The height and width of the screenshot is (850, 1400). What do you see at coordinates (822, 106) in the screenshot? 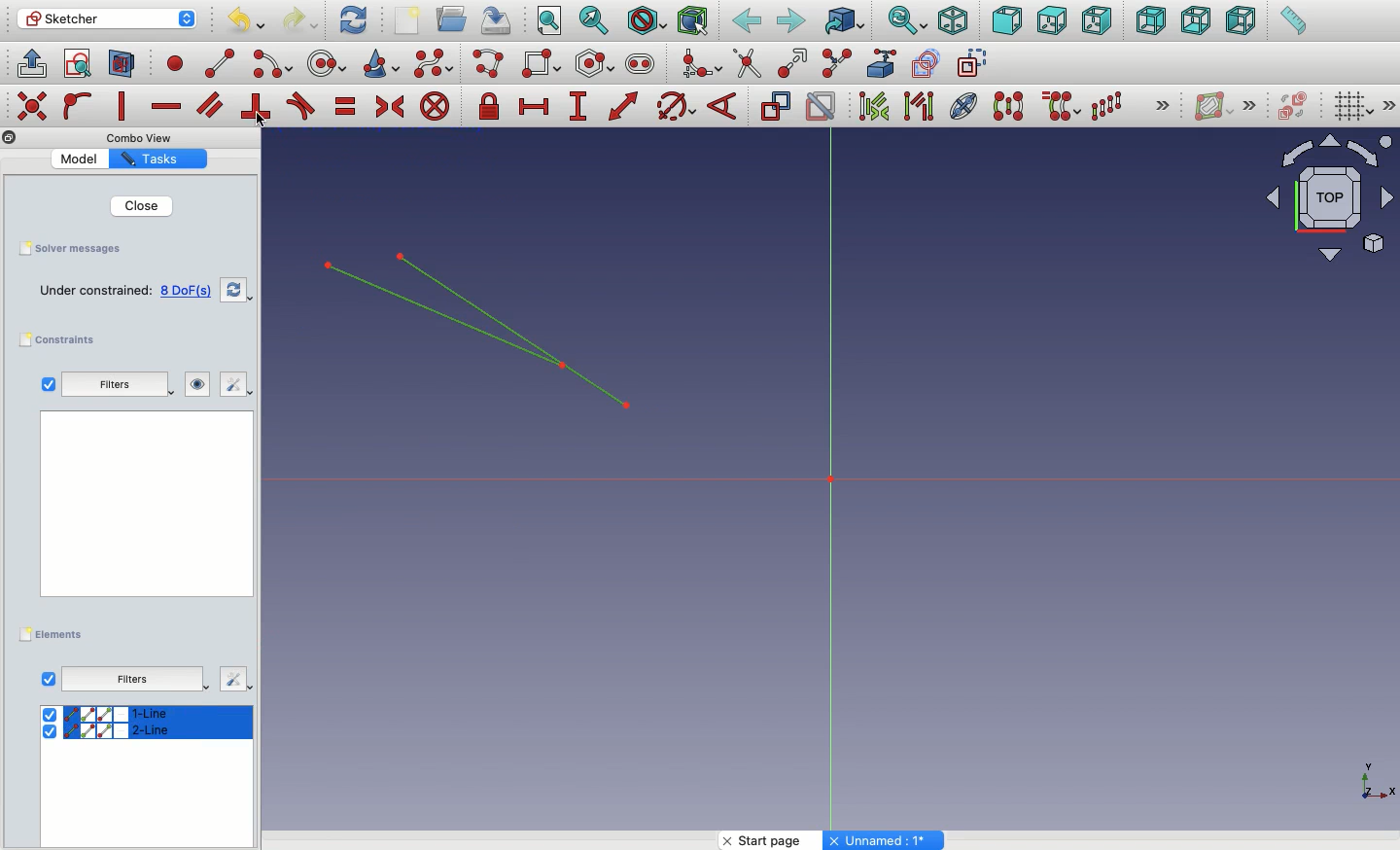
I see `Activate/deactivate constraint` at bounding box center [822, 106].